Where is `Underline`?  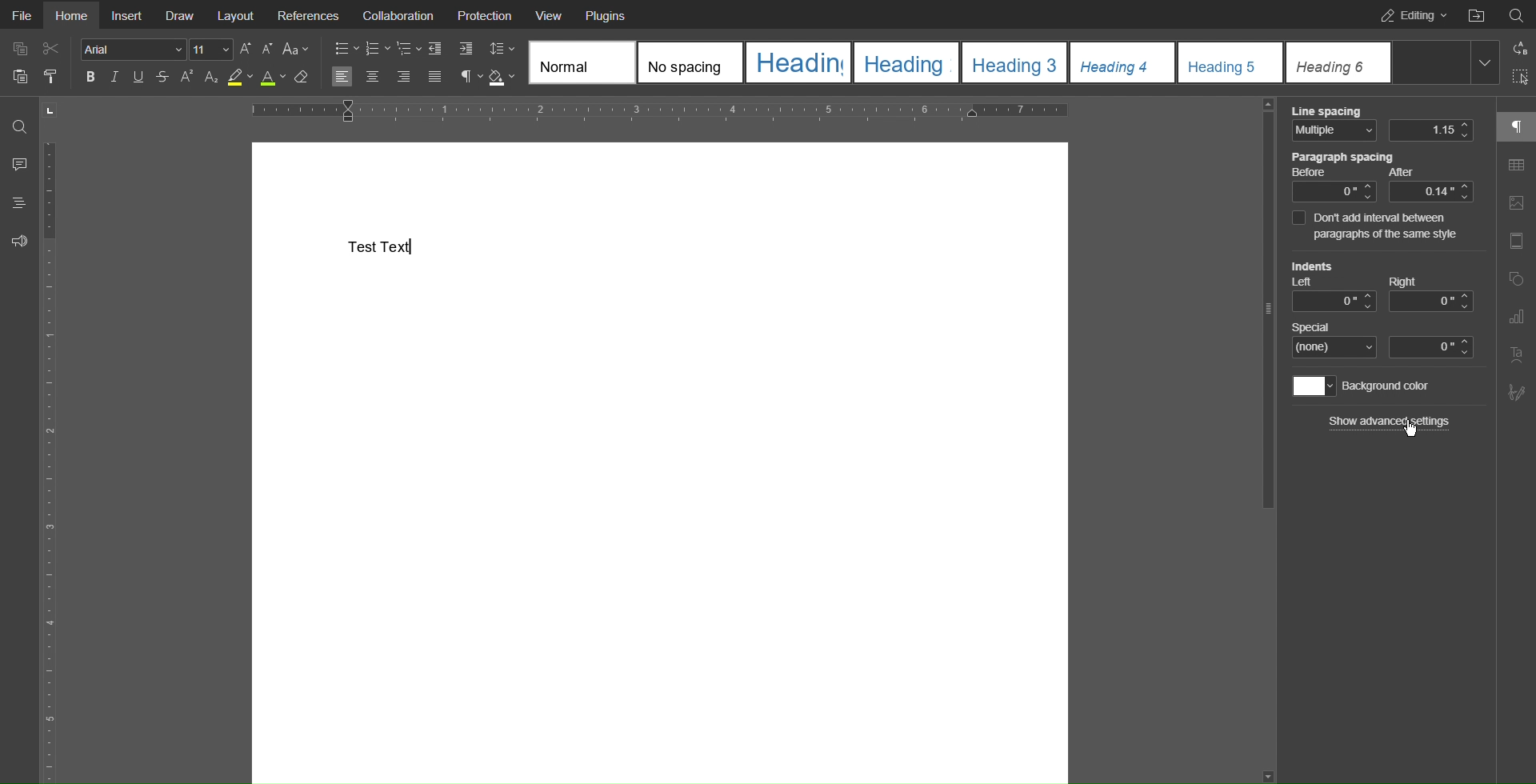 Underline is located at coordinates (137, 77).